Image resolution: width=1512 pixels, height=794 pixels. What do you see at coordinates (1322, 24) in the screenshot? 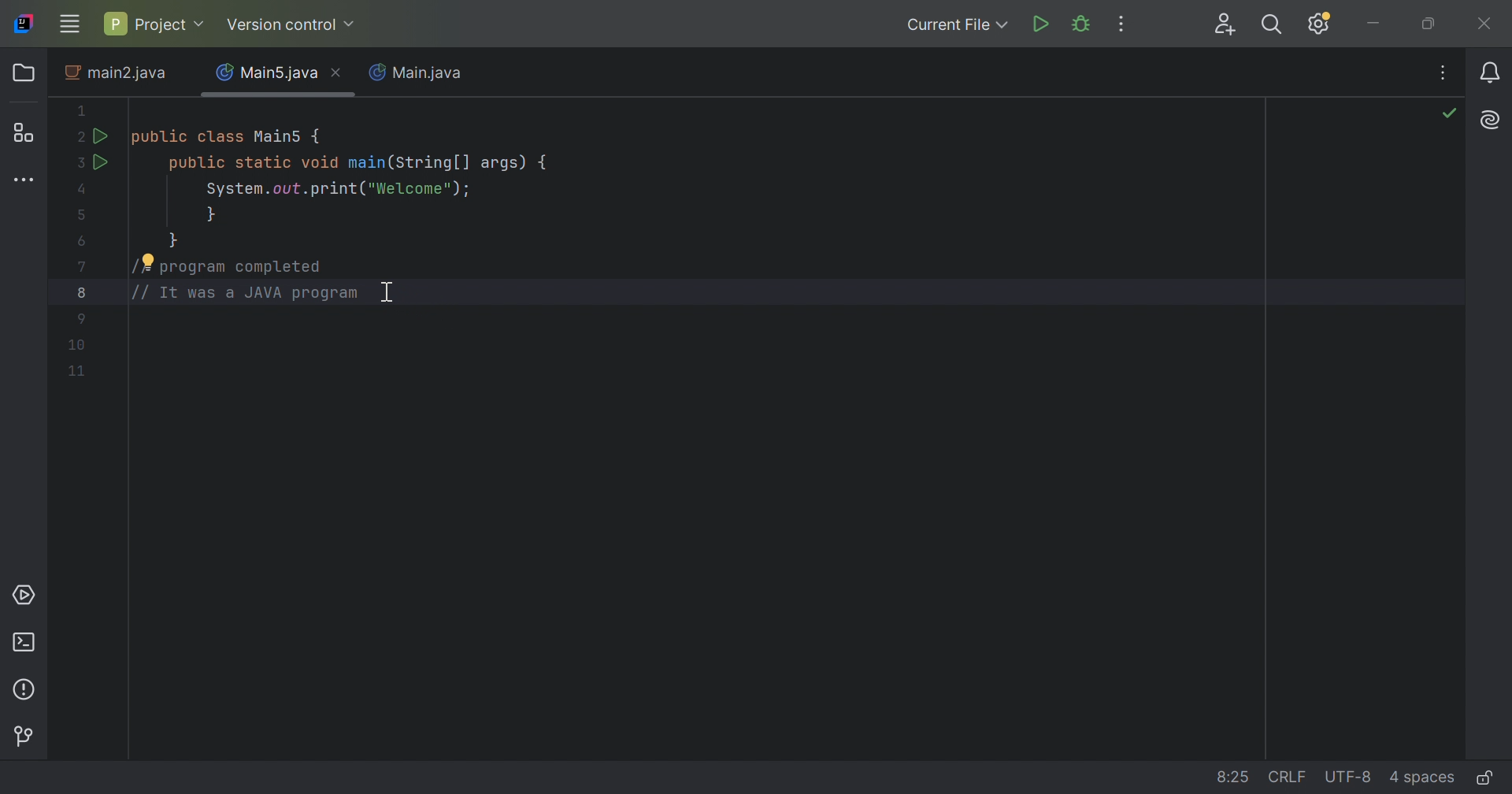
I see `Updates available. IDE and Project Settings.` at bounding box center [1322, 24].